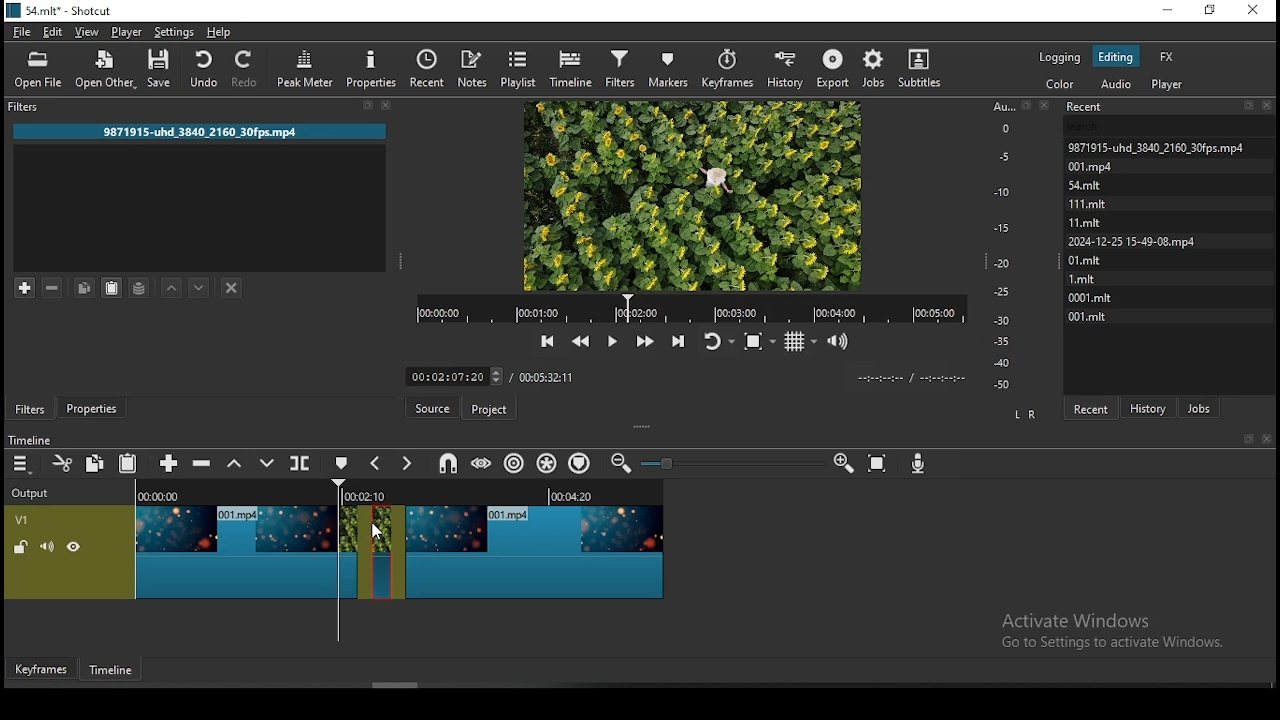 This screenshot has height=720, width=1280. Describe the element at coordinates (482, 461) in the screenshot. I see `scrub while dragging` at that location.